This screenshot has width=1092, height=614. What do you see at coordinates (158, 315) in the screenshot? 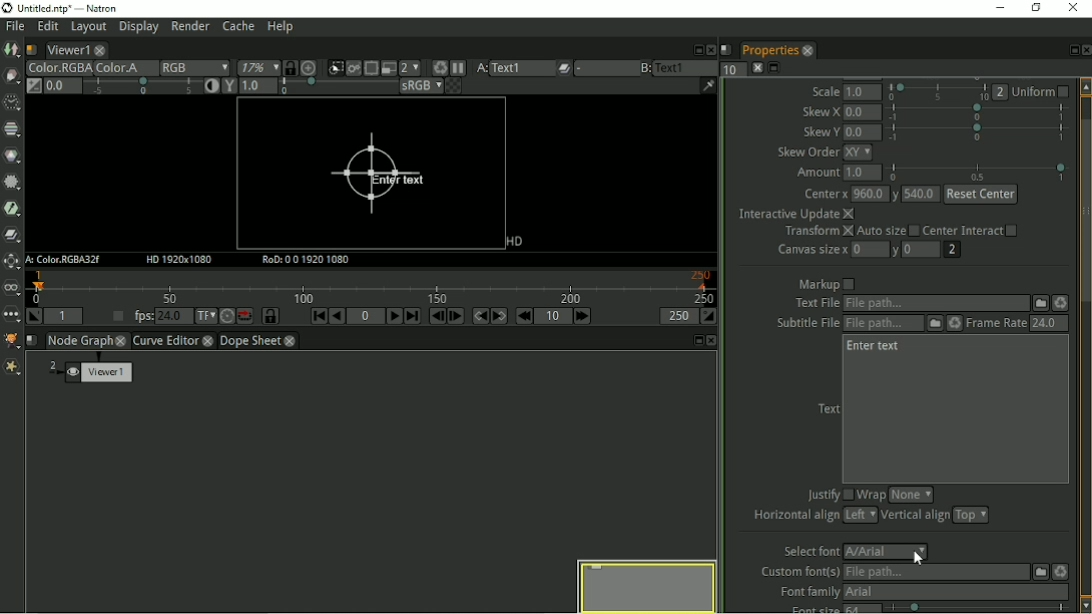
I see `fps` at bounding box center [158, 315].